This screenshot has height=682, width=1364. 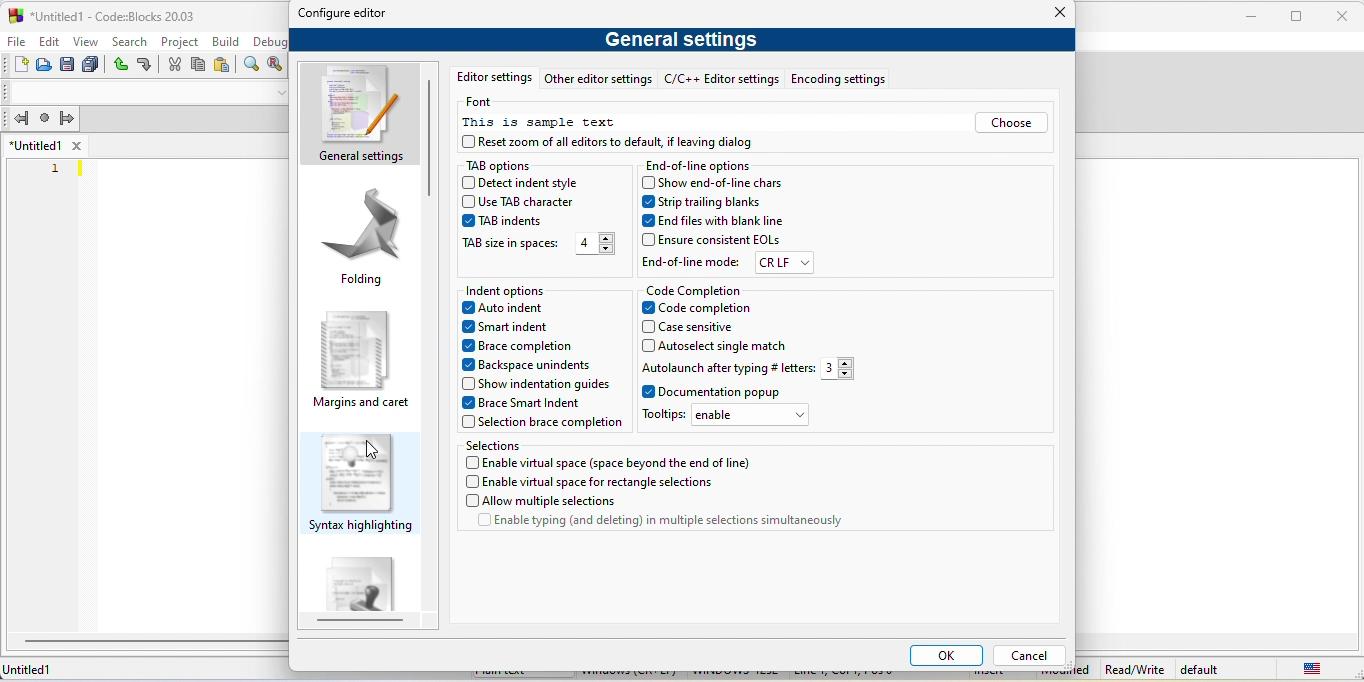 I want to click on code completion, so click(x=702, y=290).